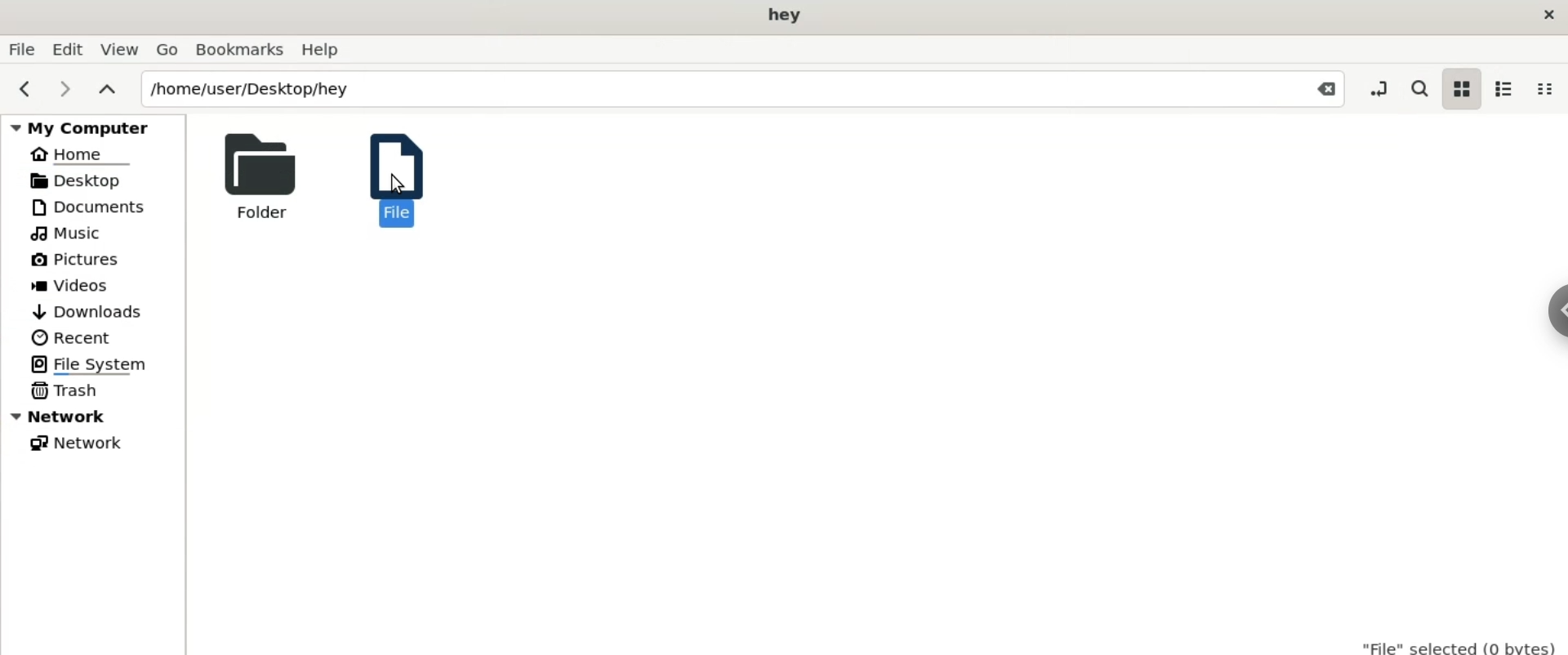 The width and height of the screenshot is (1568, 655). I want to click on recent, so click(70, 338).